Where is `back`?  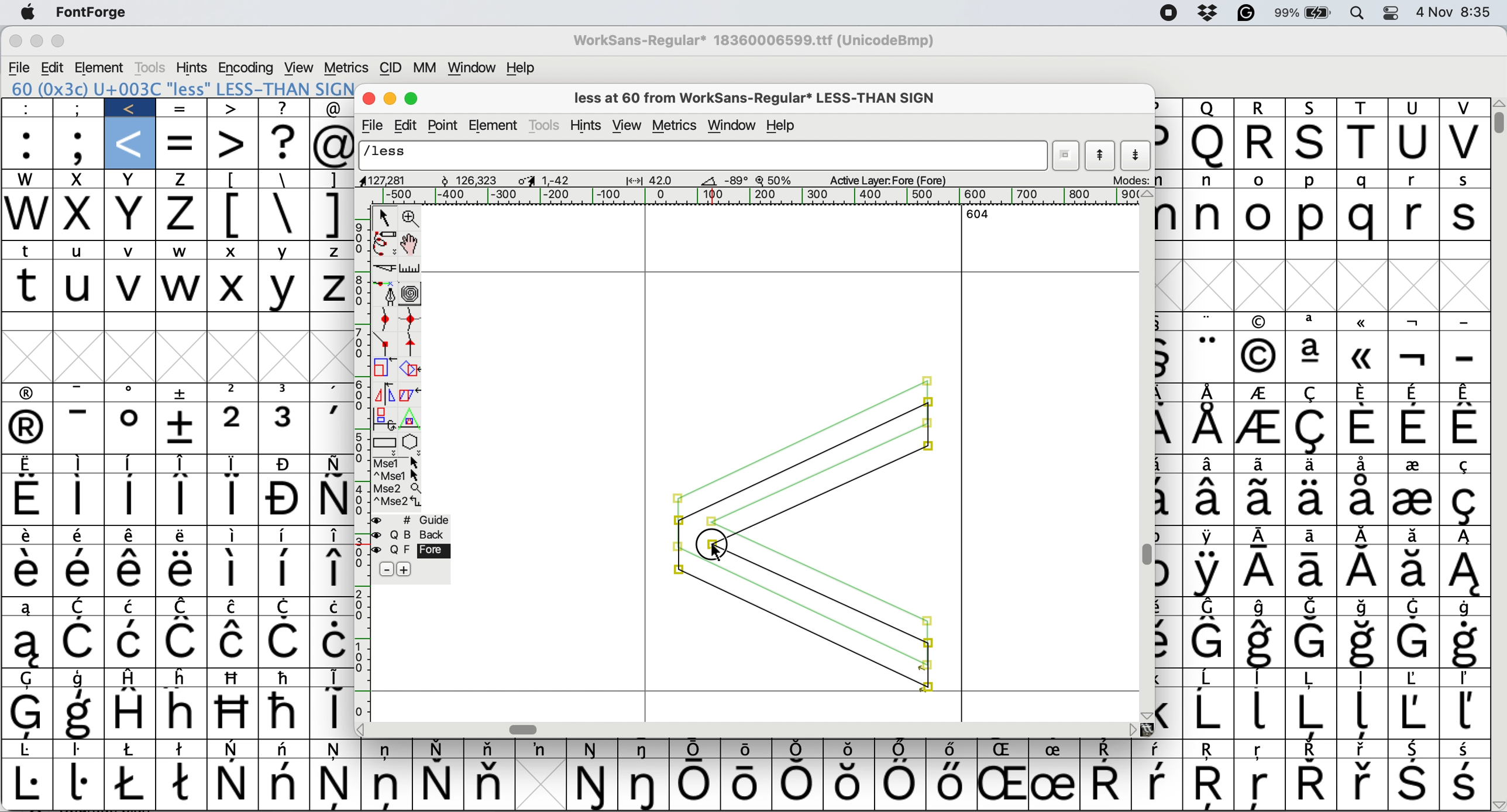 back is located at coordinates (412, 535).